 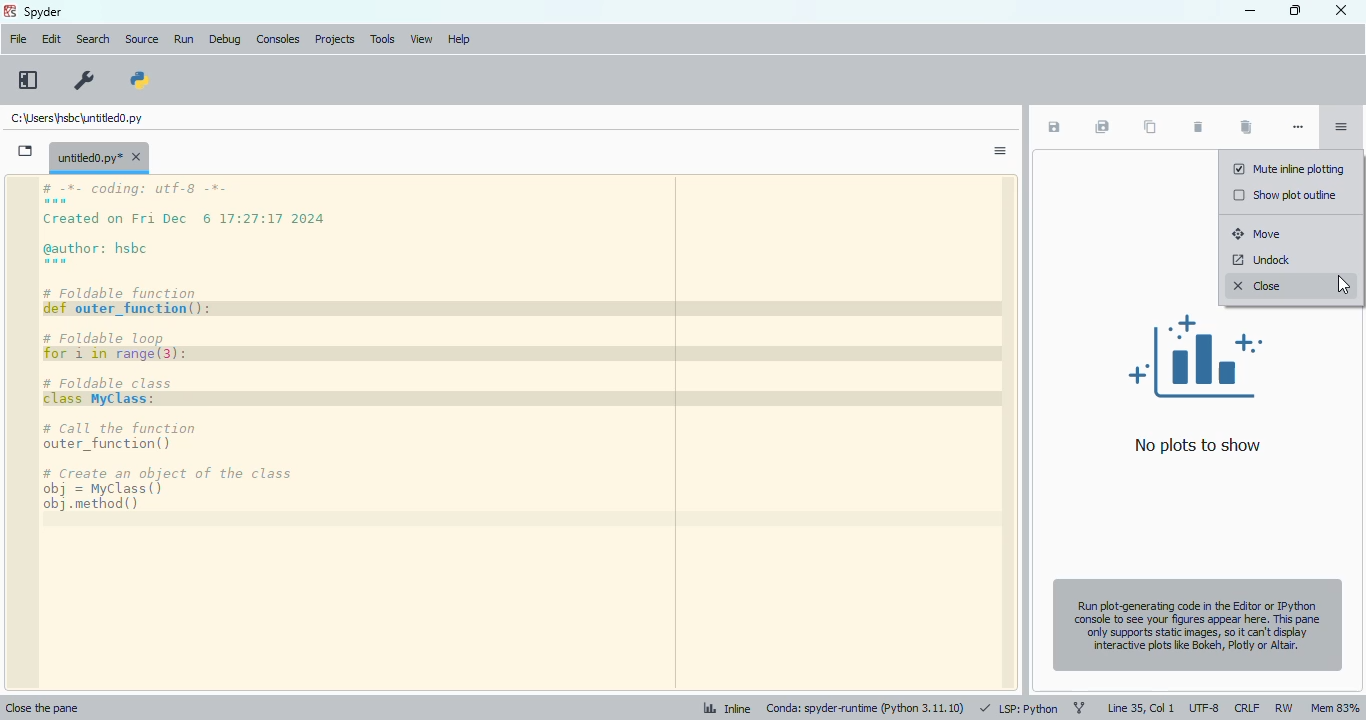 What do you see at coordinates (1246, 128) in the screenshot?
I see `remove all plots` at bounding box center [1246, 128].